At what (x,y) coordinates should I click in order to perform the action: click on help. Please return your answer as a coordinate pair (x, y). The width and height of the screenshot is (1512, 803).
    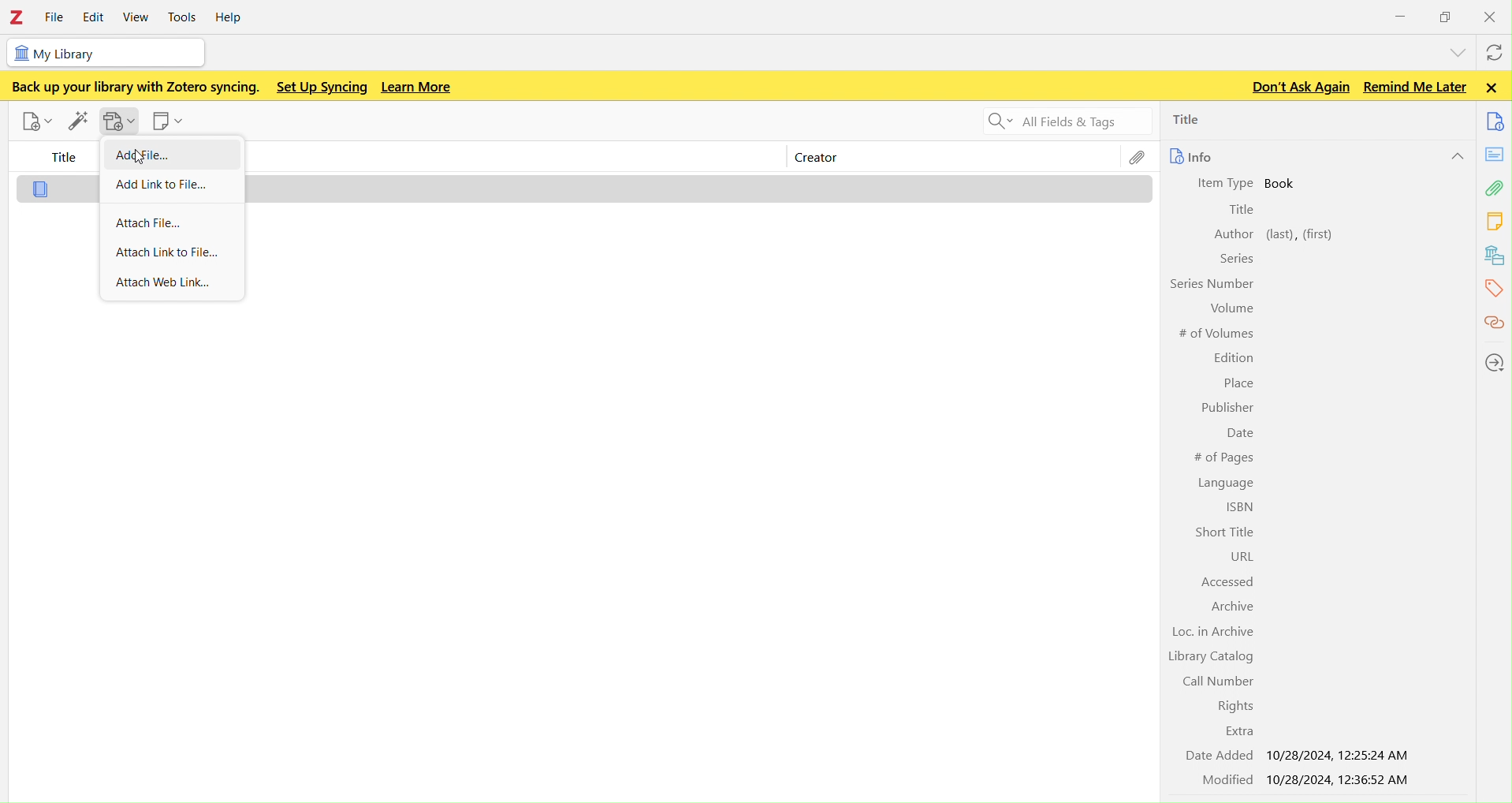
    Looking at the image, I should click on (236, 16).